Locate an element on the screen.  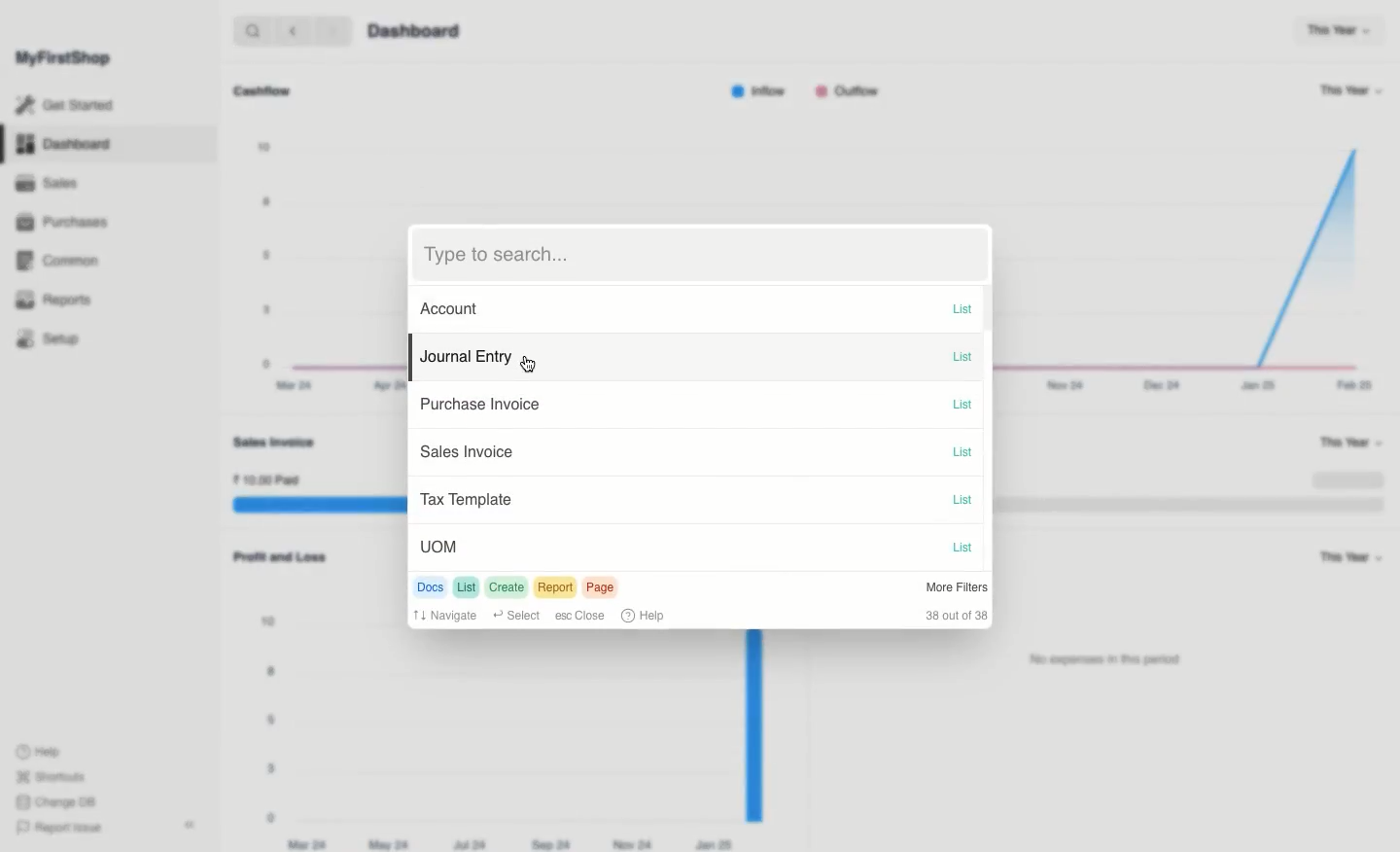
UoMm is located at coordinates (439, 548).